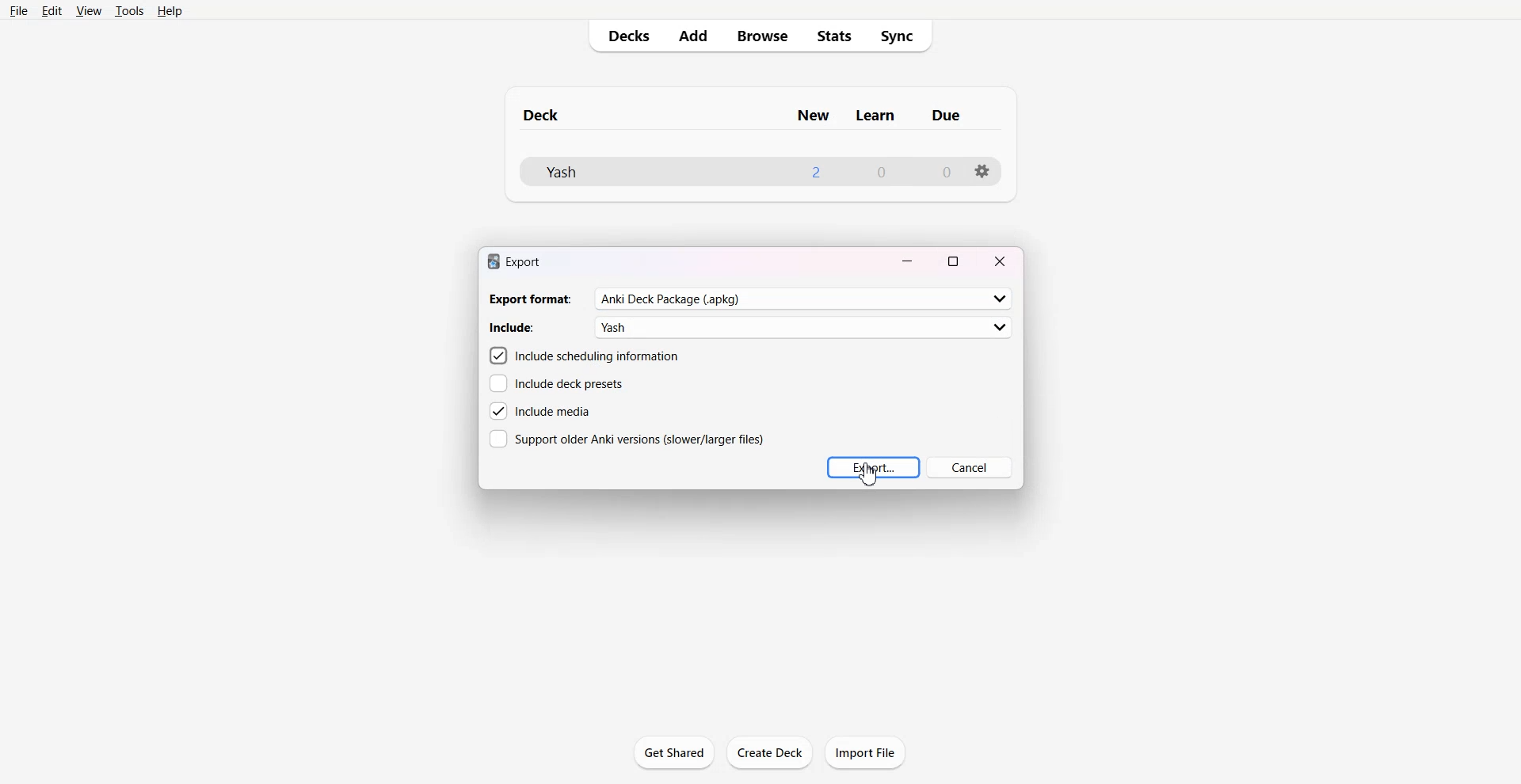 The height and width of the screenshot is (784, 1521). What do you see at coordinates (882, 173) in the screenshot?
I see `0` at bounding box center [882, 173].